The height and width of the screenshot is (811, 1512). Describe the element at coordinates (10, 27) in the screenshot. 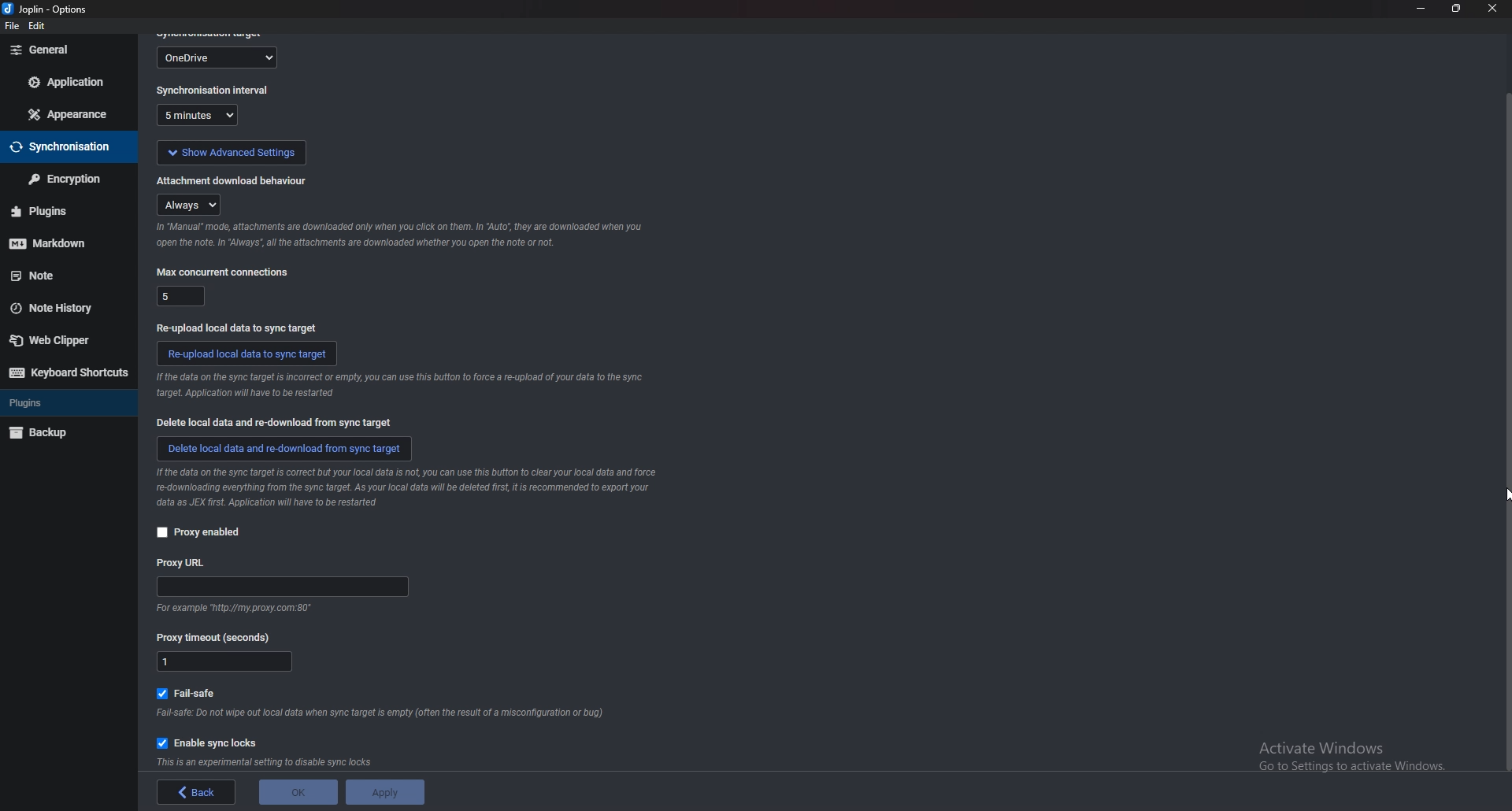

I see `file` at that location.